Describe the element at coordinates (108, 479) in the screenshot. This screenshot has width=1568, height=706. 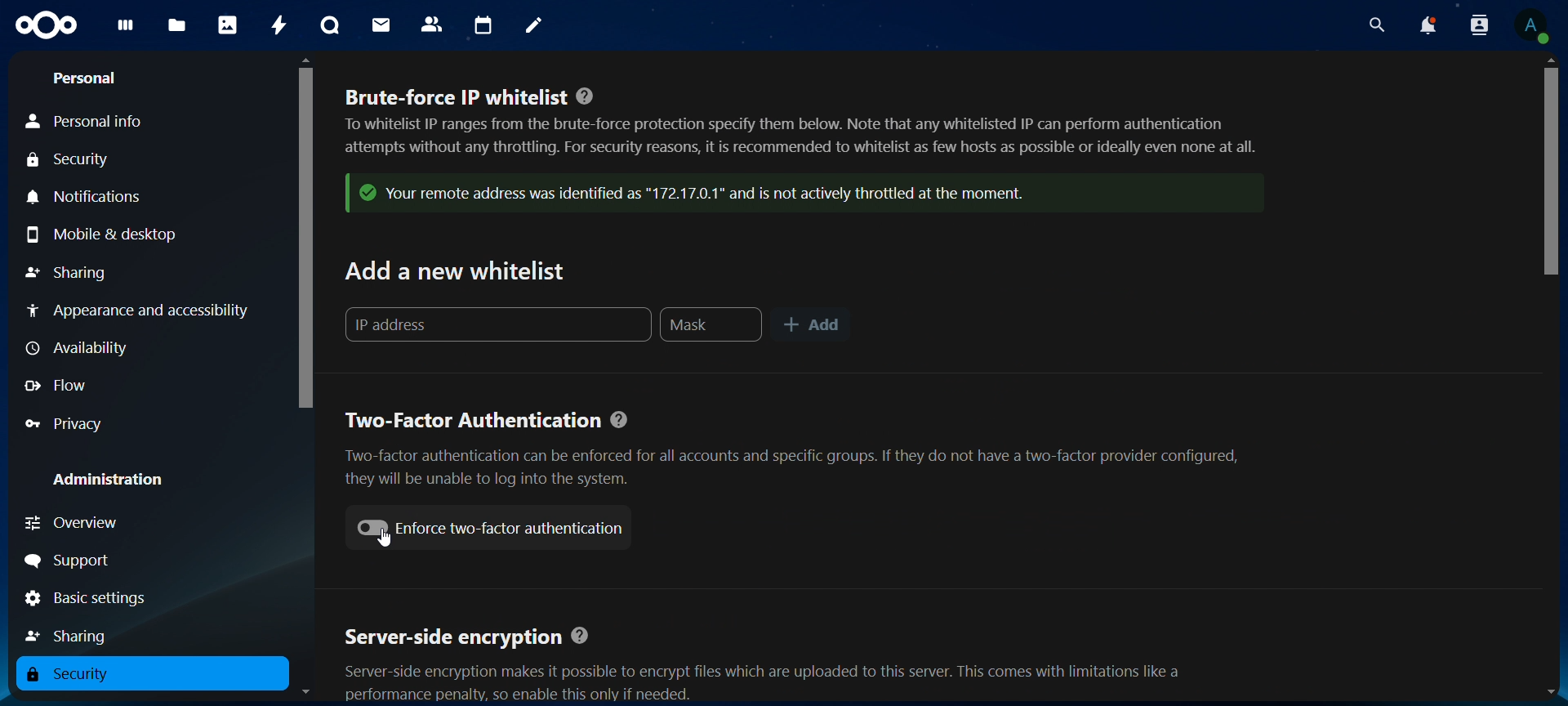
I see `administration` at that location.